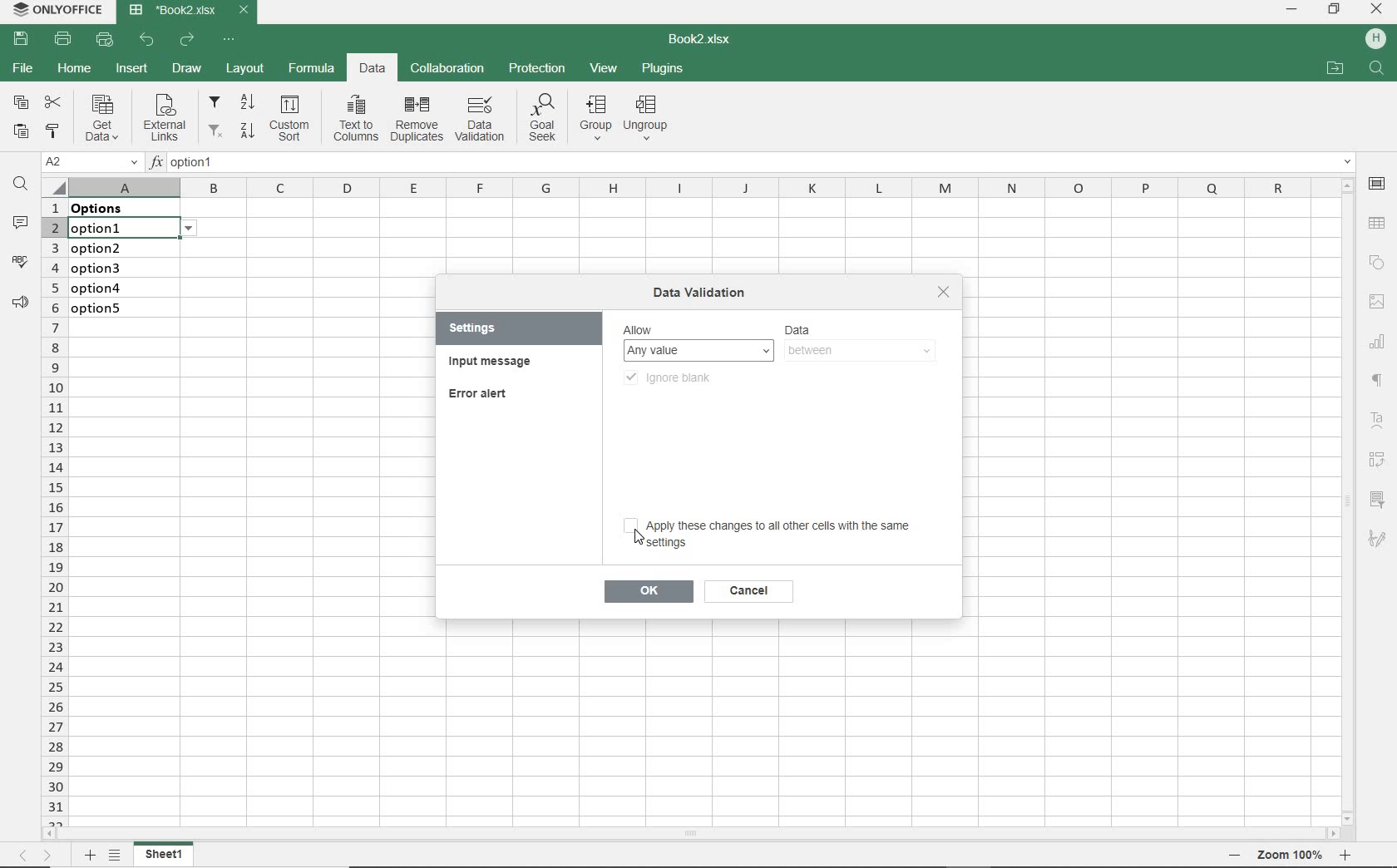 The image size is (1397, 868). What do you see at coordinates (165, 119) in the screenshot?
I see `External links` at bounding box center [165, 119].